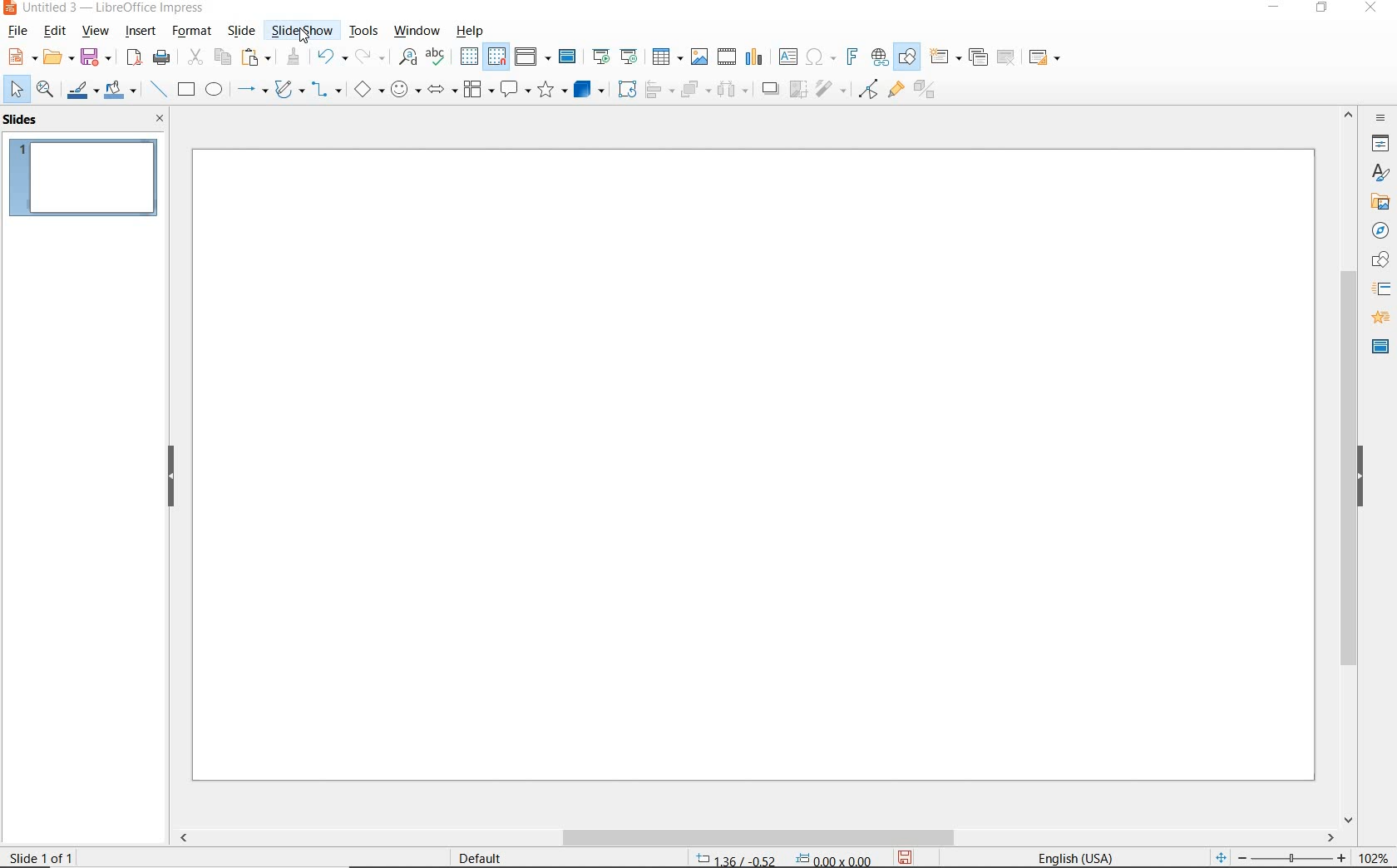 The image size is (1397, 868). I want to click on THREE OBJECTS TO DISTRIBUTE, so click(731, 91).